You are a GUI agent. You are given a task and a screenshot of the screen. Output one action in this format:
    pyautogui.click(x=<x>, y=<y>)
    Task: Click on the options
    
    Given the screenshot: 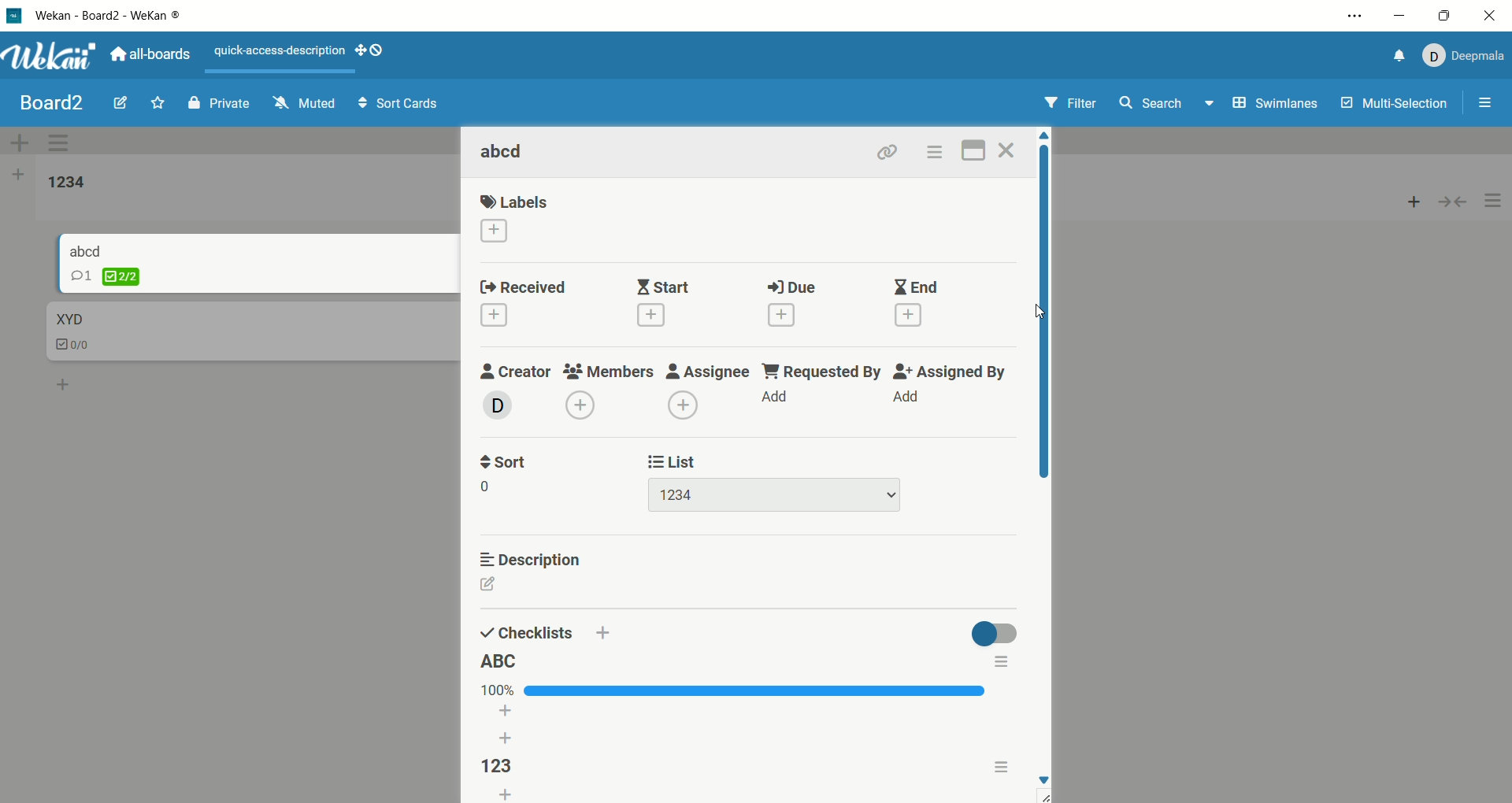 What is the action you would take?
    pyautogui.click(x=1487, y=105)
    